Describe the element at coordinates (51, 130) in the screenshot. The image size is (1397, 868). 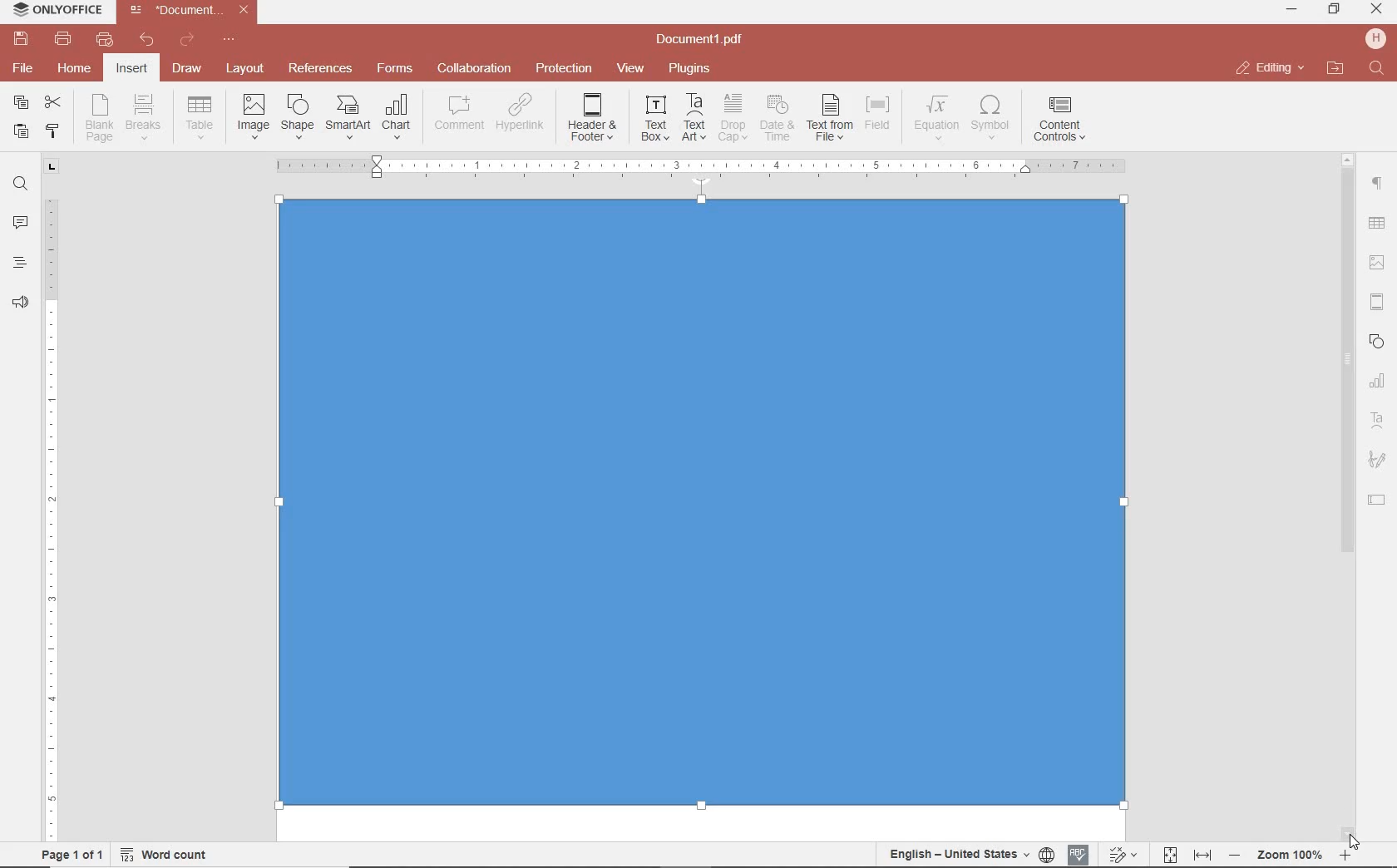
I see `copy style` at that location.